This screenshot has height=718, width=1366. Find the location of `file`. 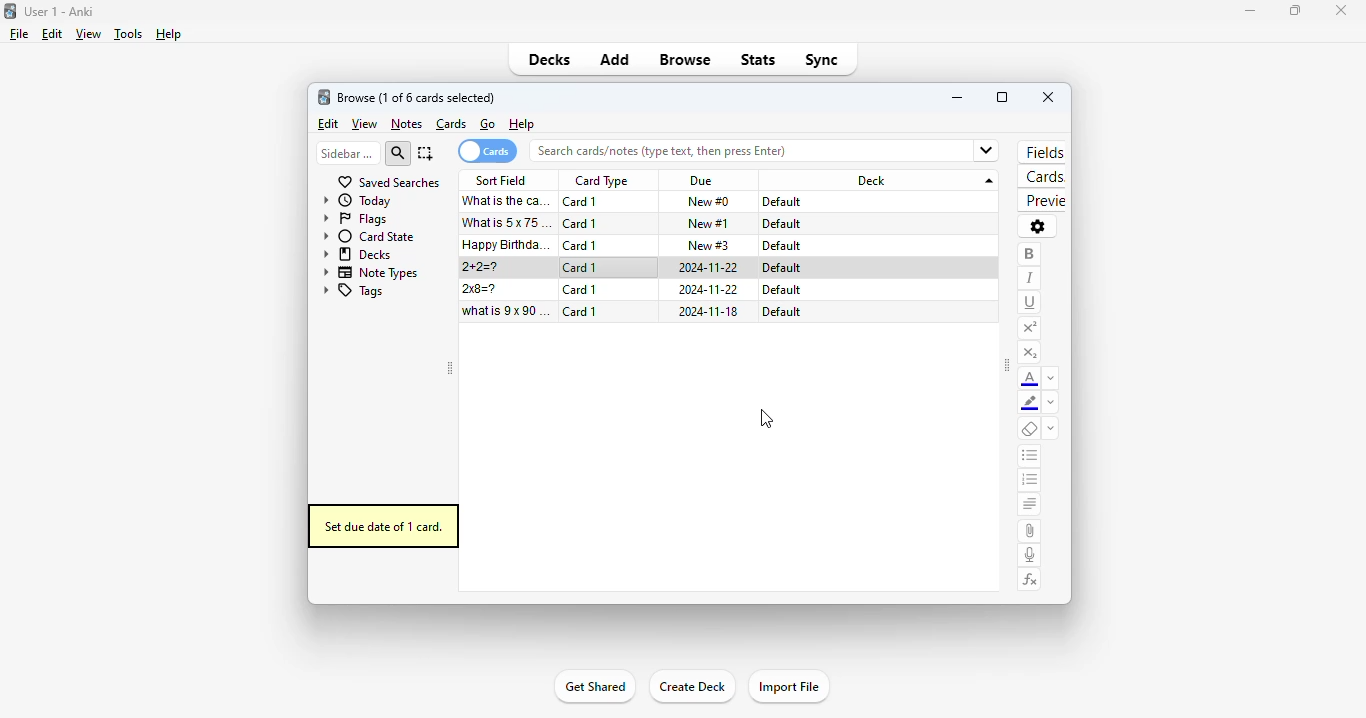

file is located at coordinates (19, 34).